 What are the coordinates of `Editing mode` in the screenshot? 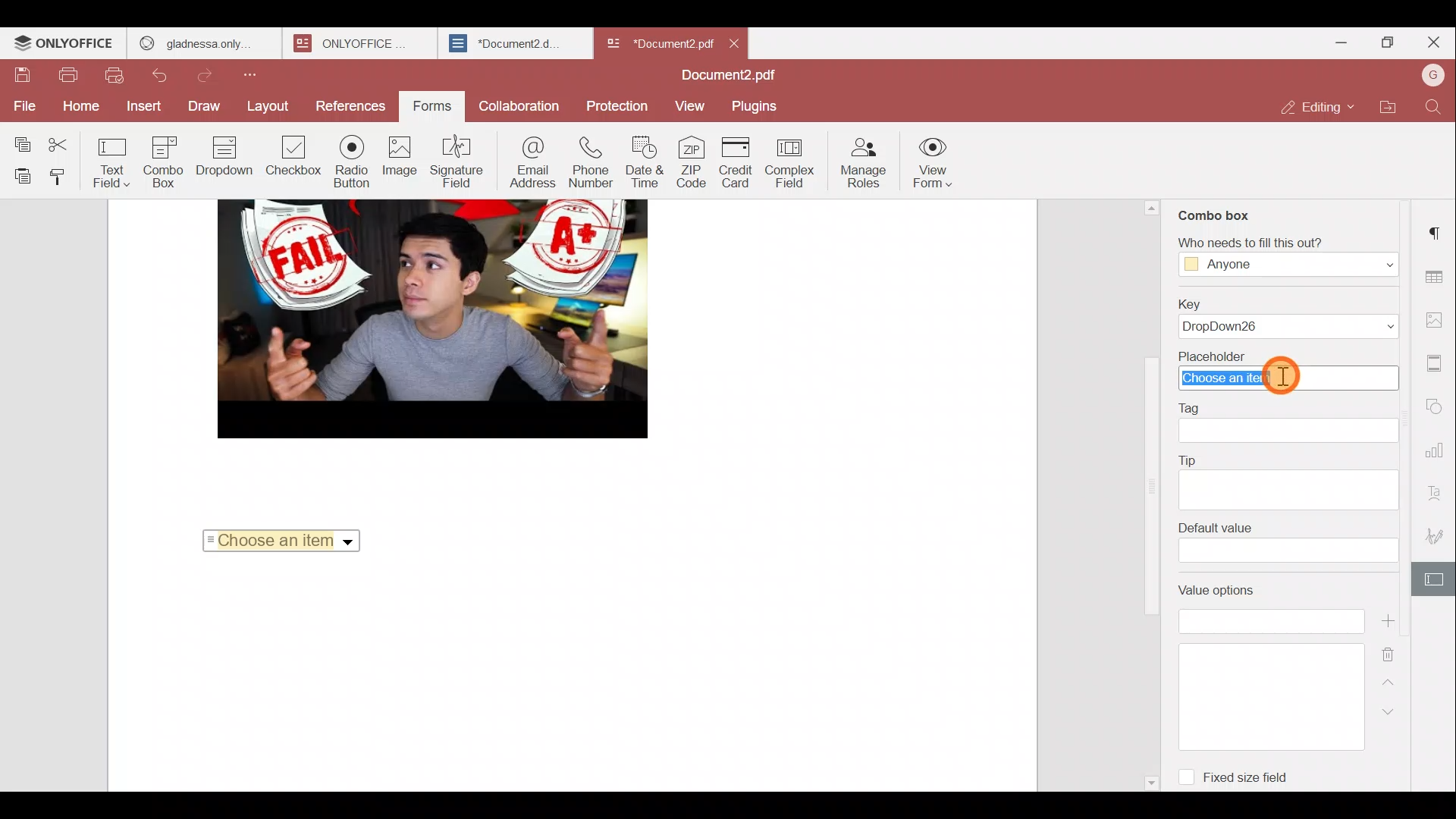 It's located at (1316, 108).